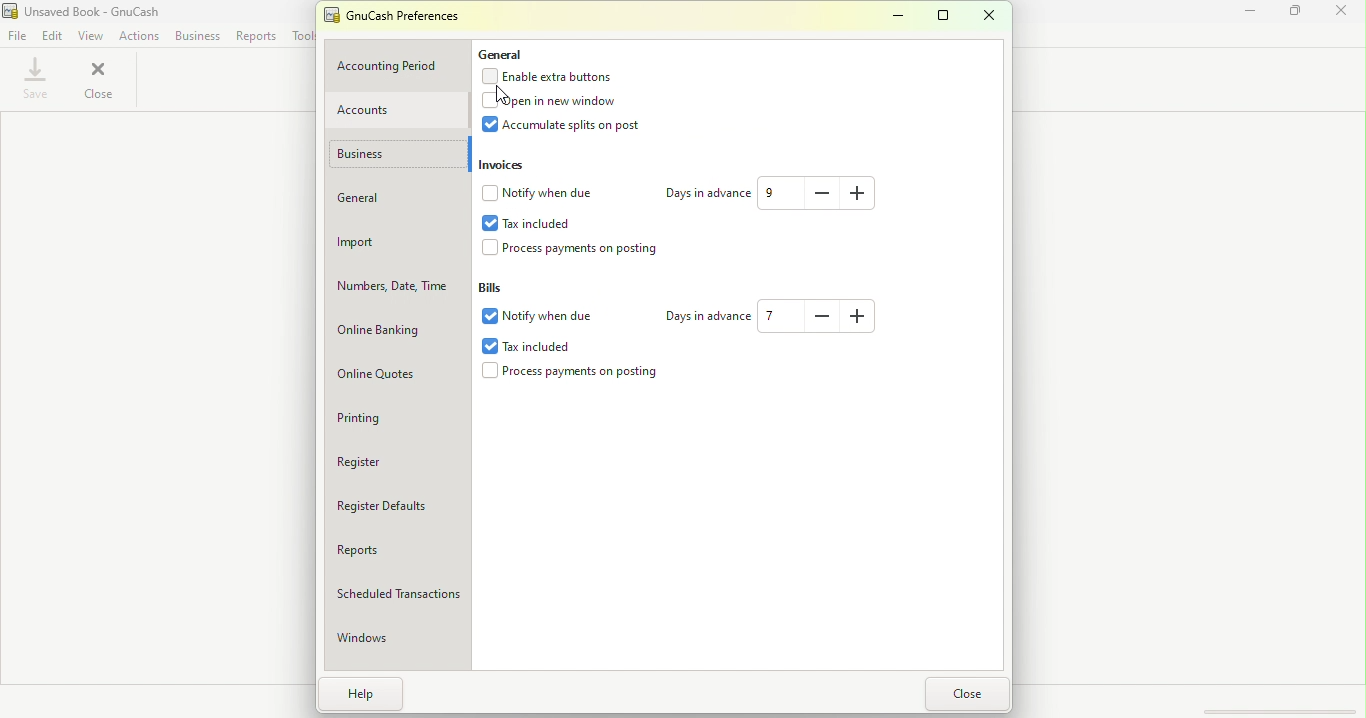 Image resolution: width=1366 pixels, height=718 pixels. Describe the element at coordinates (960, 700) in the screenshot. I see `Close` at that location.